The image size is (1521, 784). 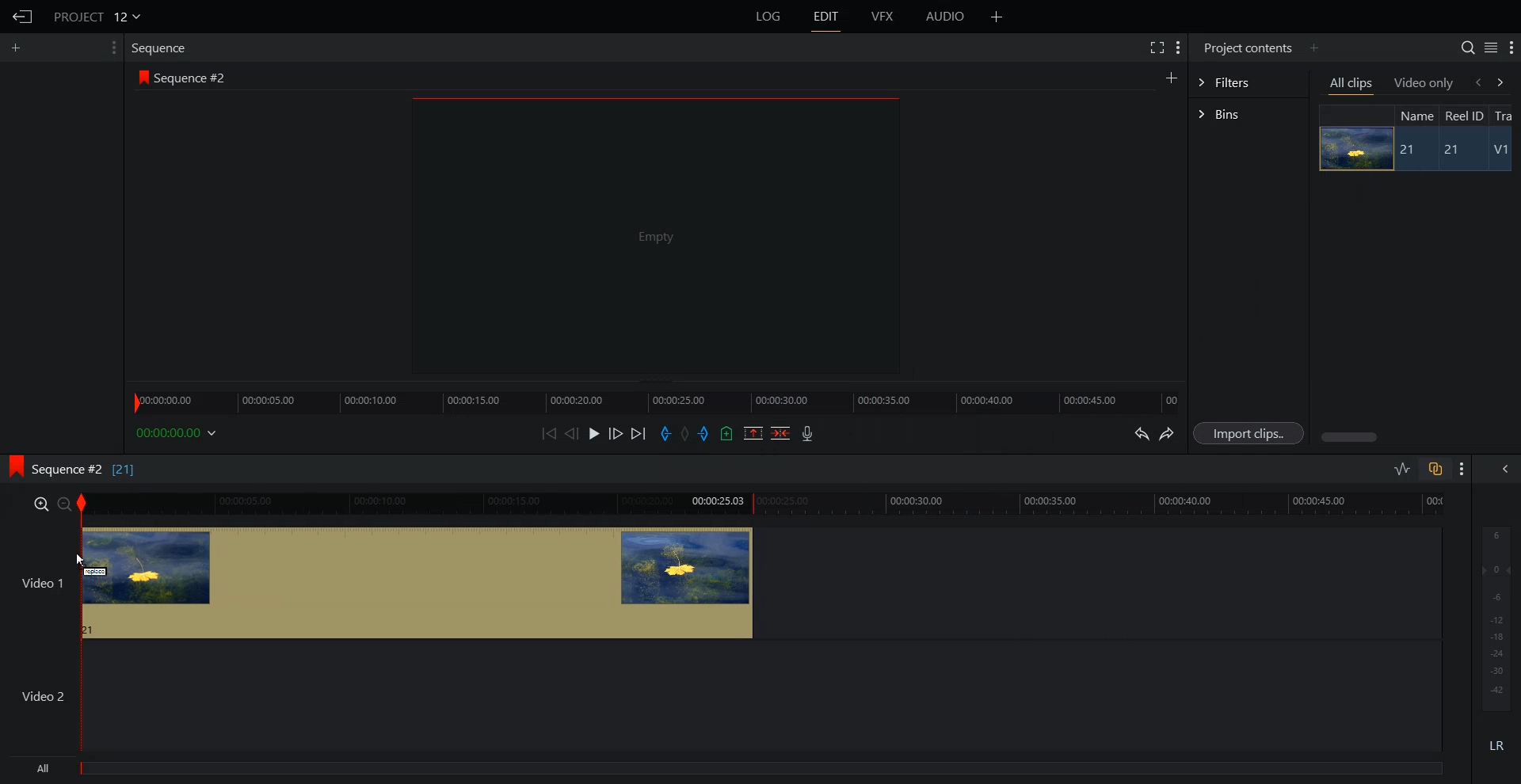 What do you see at coordinates (379, 580) in the screenshot?
I see `video 1` at bounding box center [379, 580].